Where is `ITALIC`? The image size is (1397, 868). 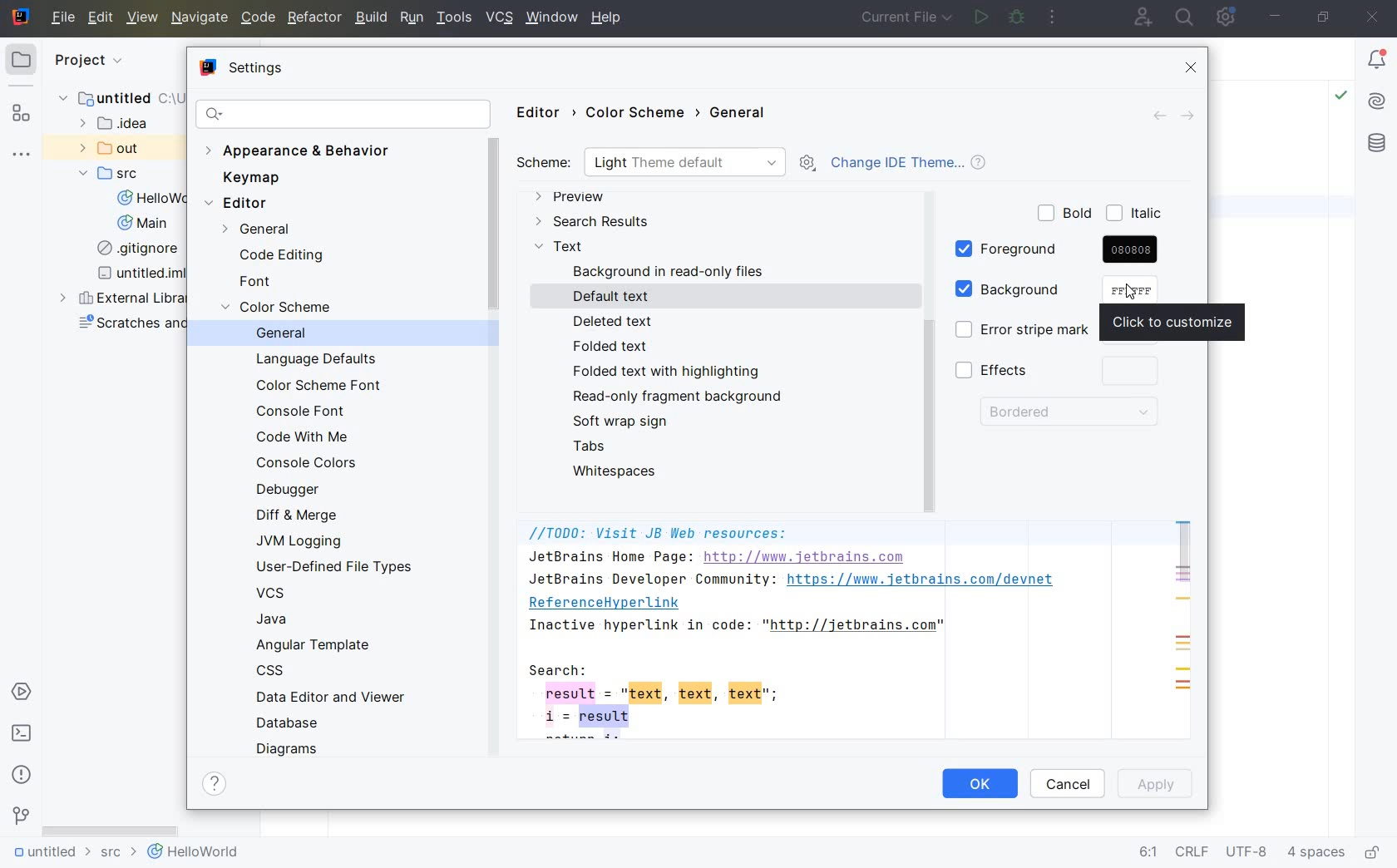 ITALIC is located at coordinates (1137, 215).